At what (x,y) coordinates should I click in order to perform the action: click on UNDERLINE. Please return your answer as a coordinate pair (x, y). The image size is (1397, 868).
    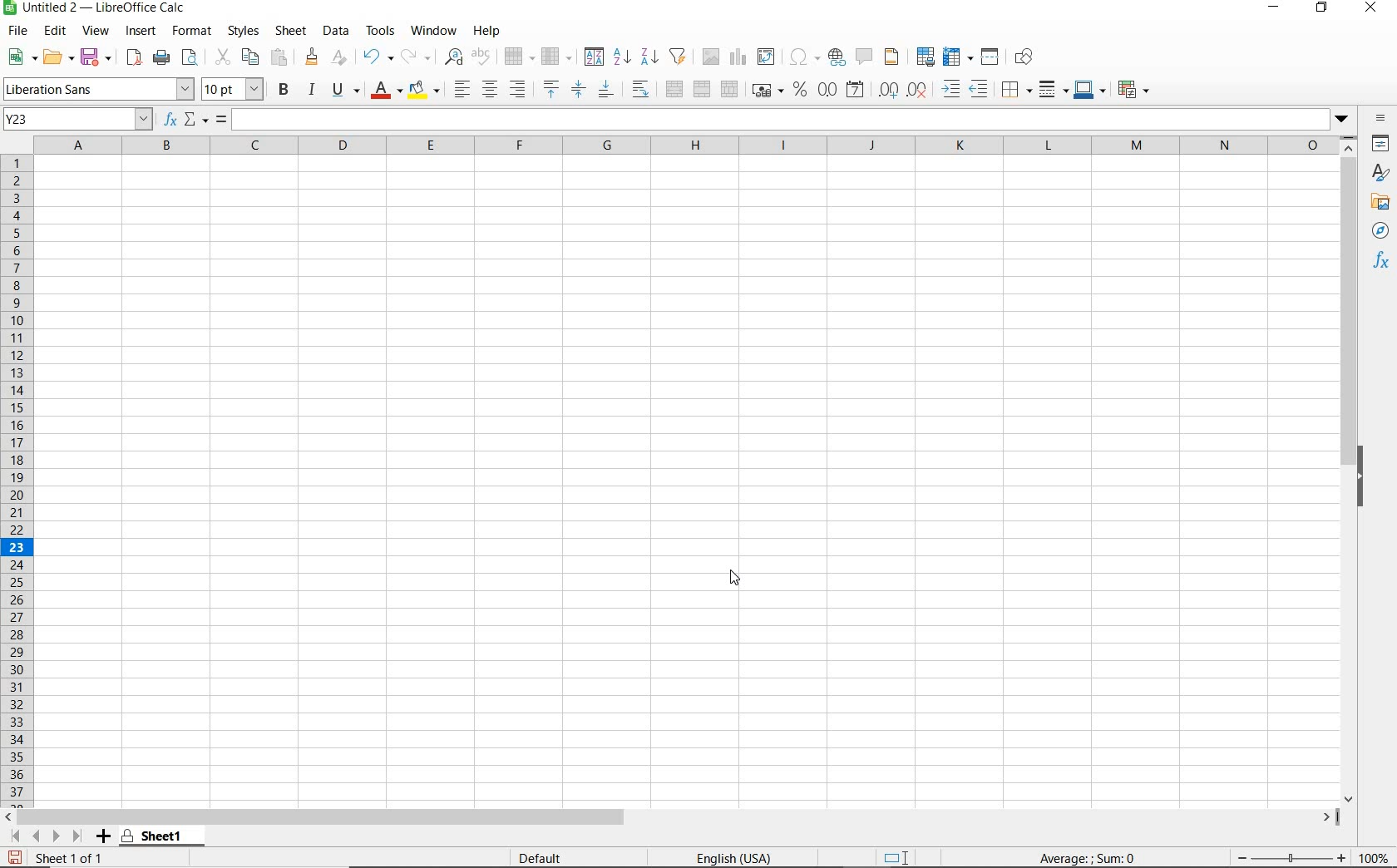
    Looking at the image, I should click on (345, 91).